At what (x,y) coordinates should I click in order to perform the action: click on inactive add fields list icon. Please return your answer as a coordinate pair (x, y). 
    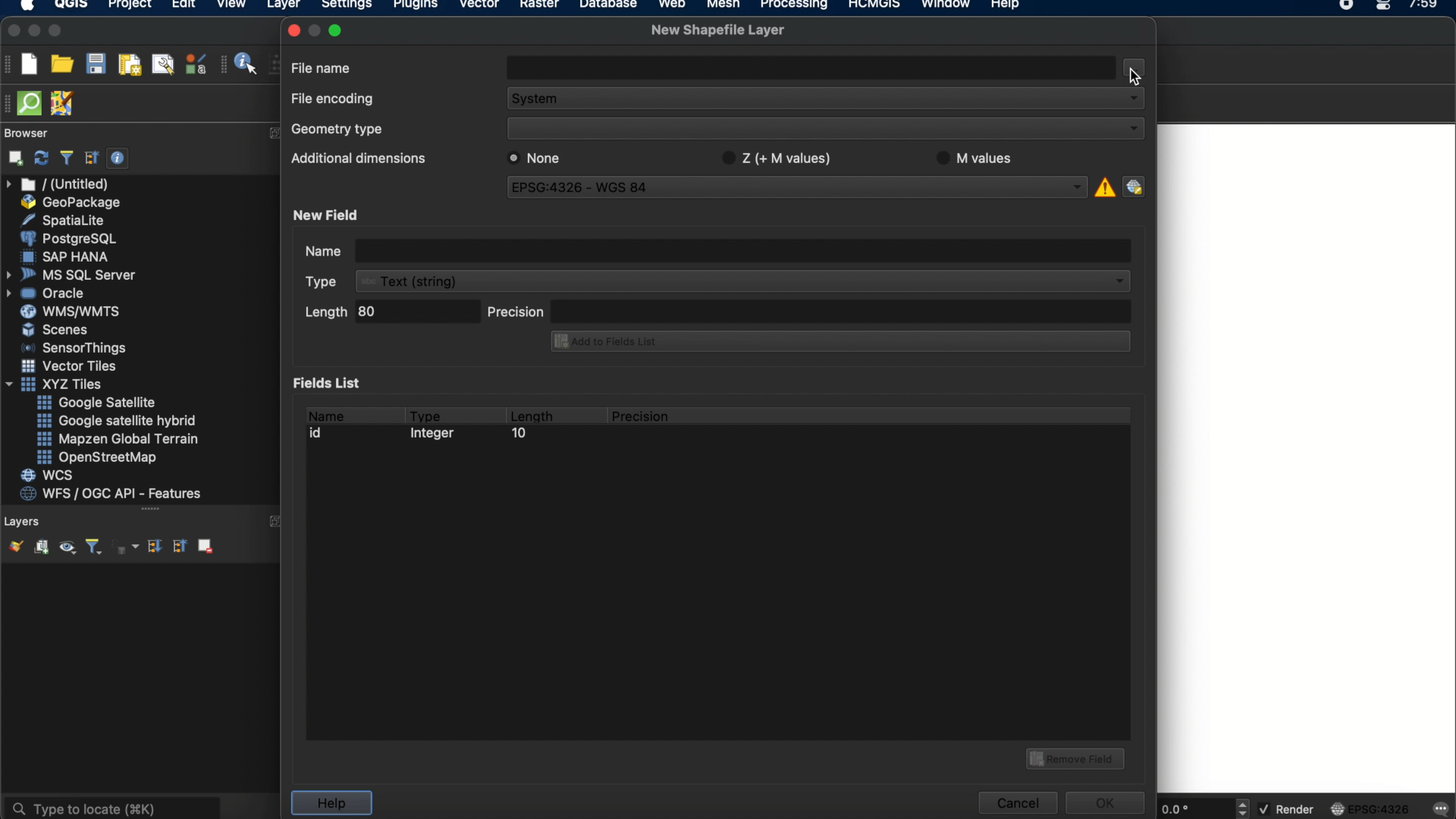
    Looking at the image, I should click on (839, 340).